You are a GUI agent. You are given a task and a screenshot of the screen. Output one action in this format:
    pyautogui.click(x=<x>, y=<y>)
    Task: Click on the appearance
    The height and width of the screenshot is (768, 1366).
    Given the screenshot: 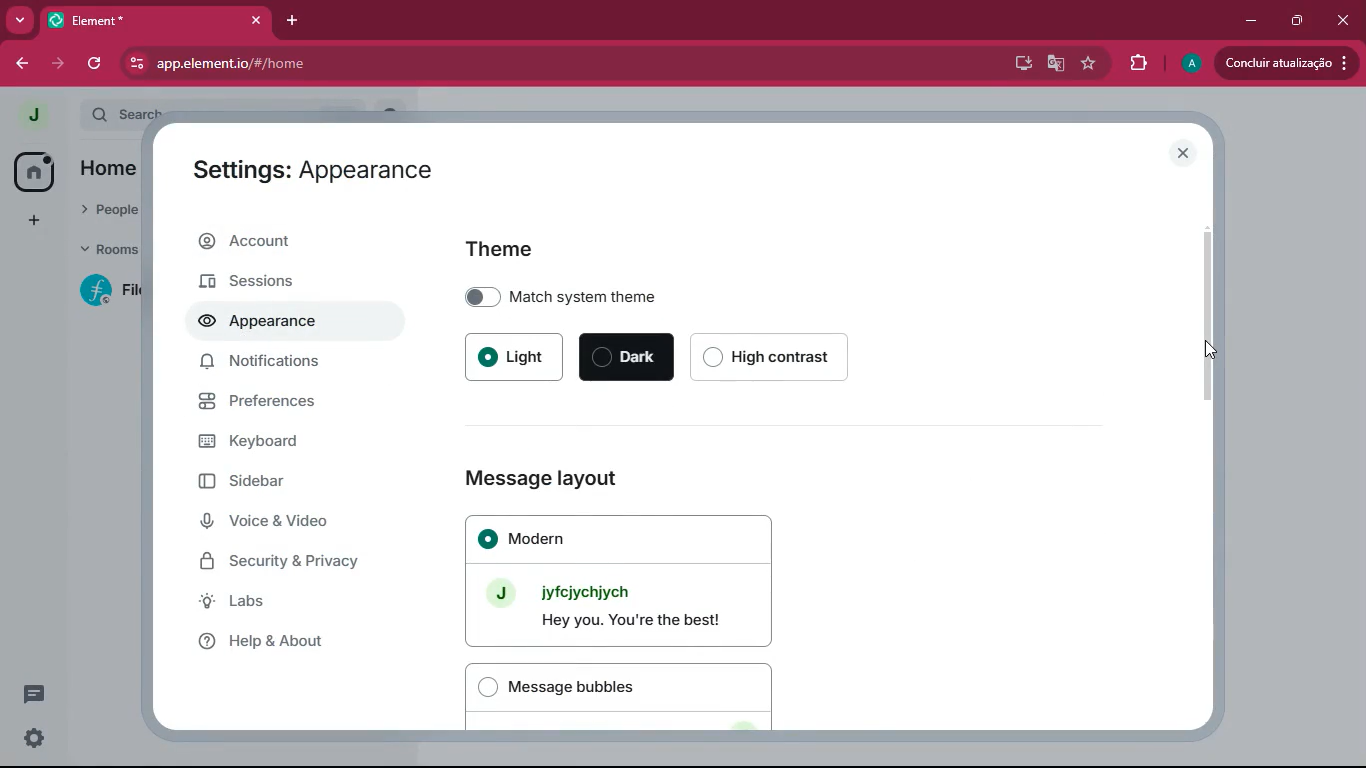 What is the action you would take?
    pyautogui.click(x=269, y=323)
    